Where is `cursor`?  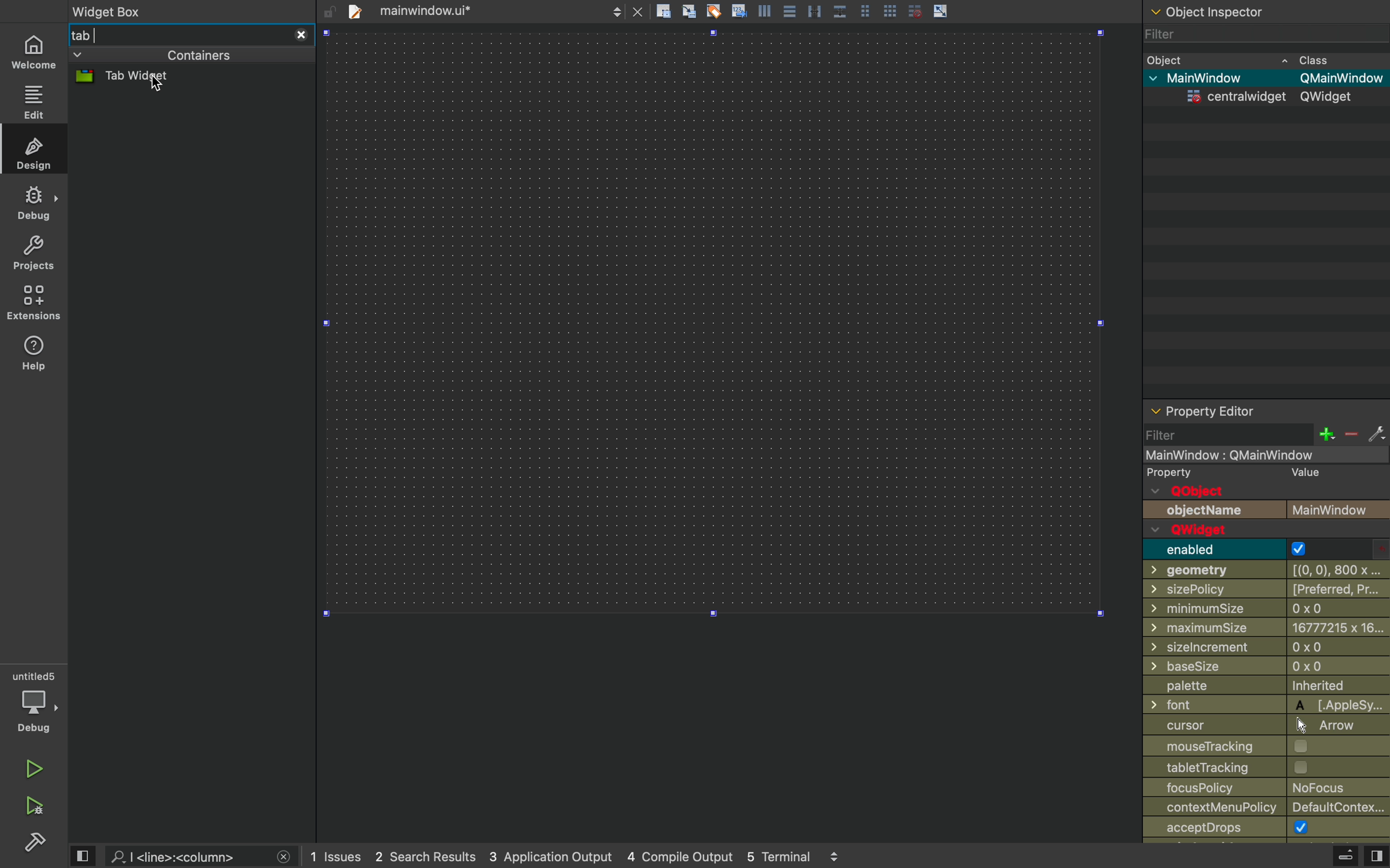 cursor is located at coordinates (1253, 726).